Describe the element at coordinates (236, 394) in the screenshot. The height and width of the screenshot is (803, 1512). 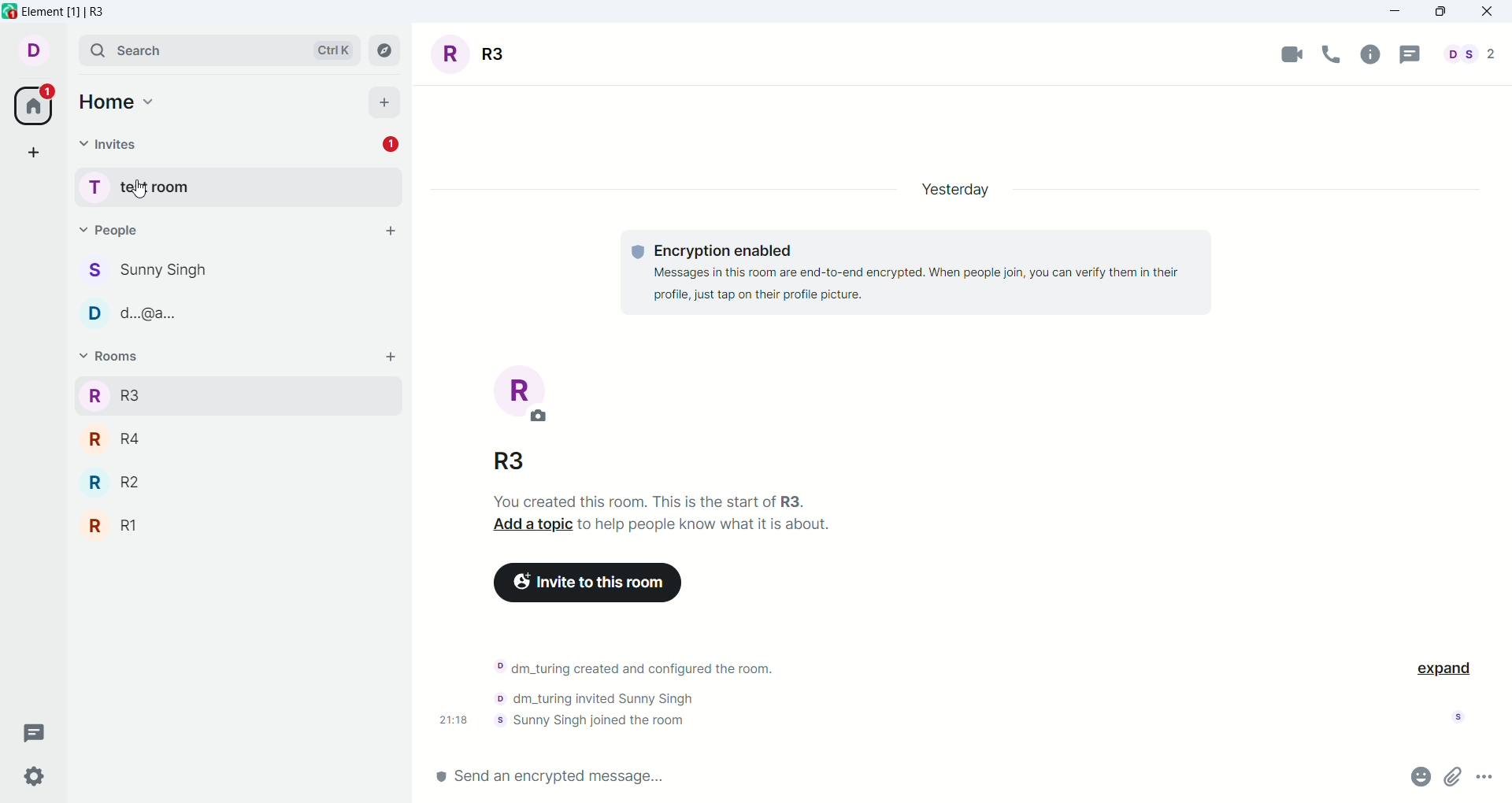
I see `R3` at that location.